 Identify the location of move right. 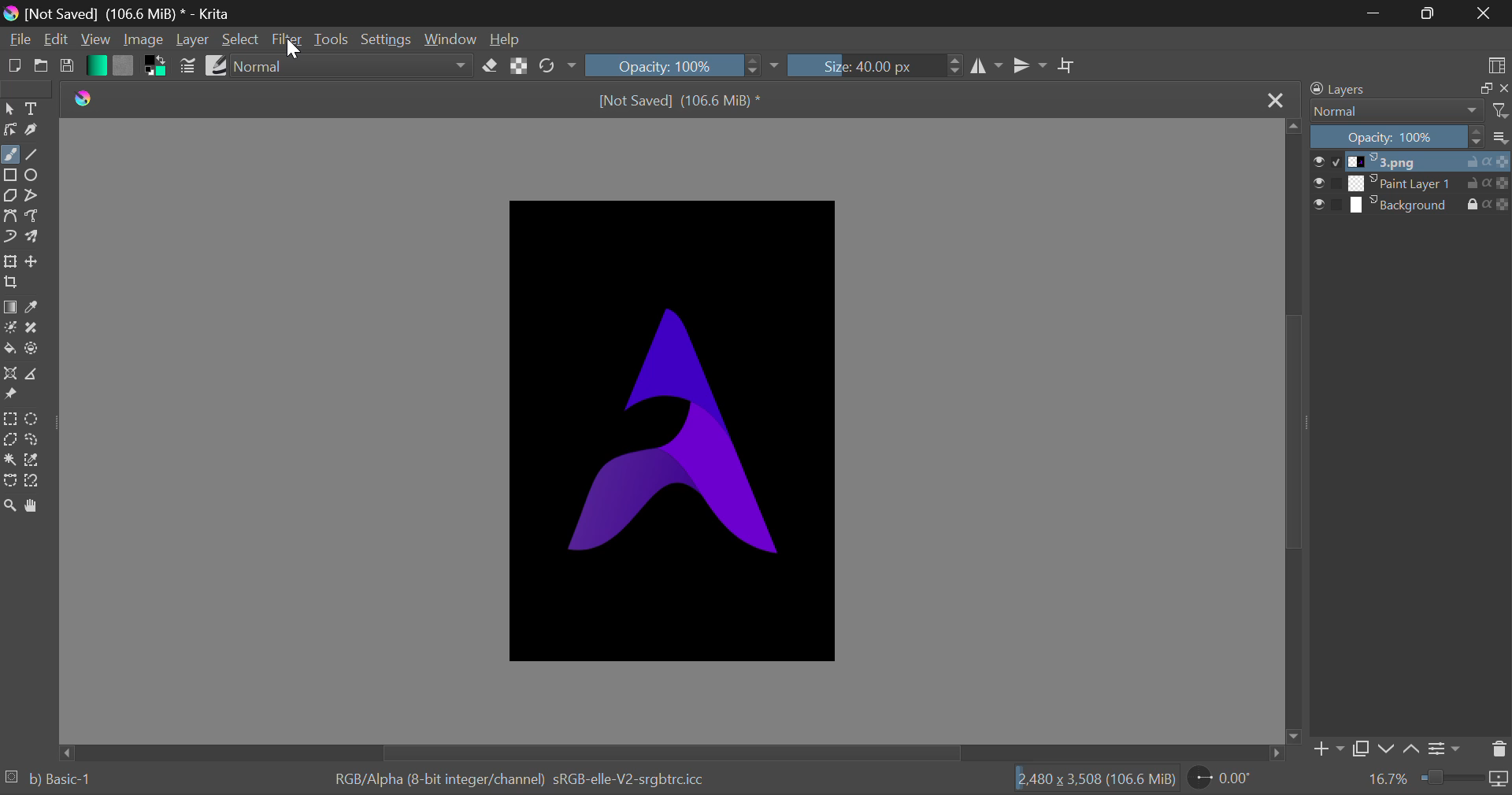
(1280, 754).